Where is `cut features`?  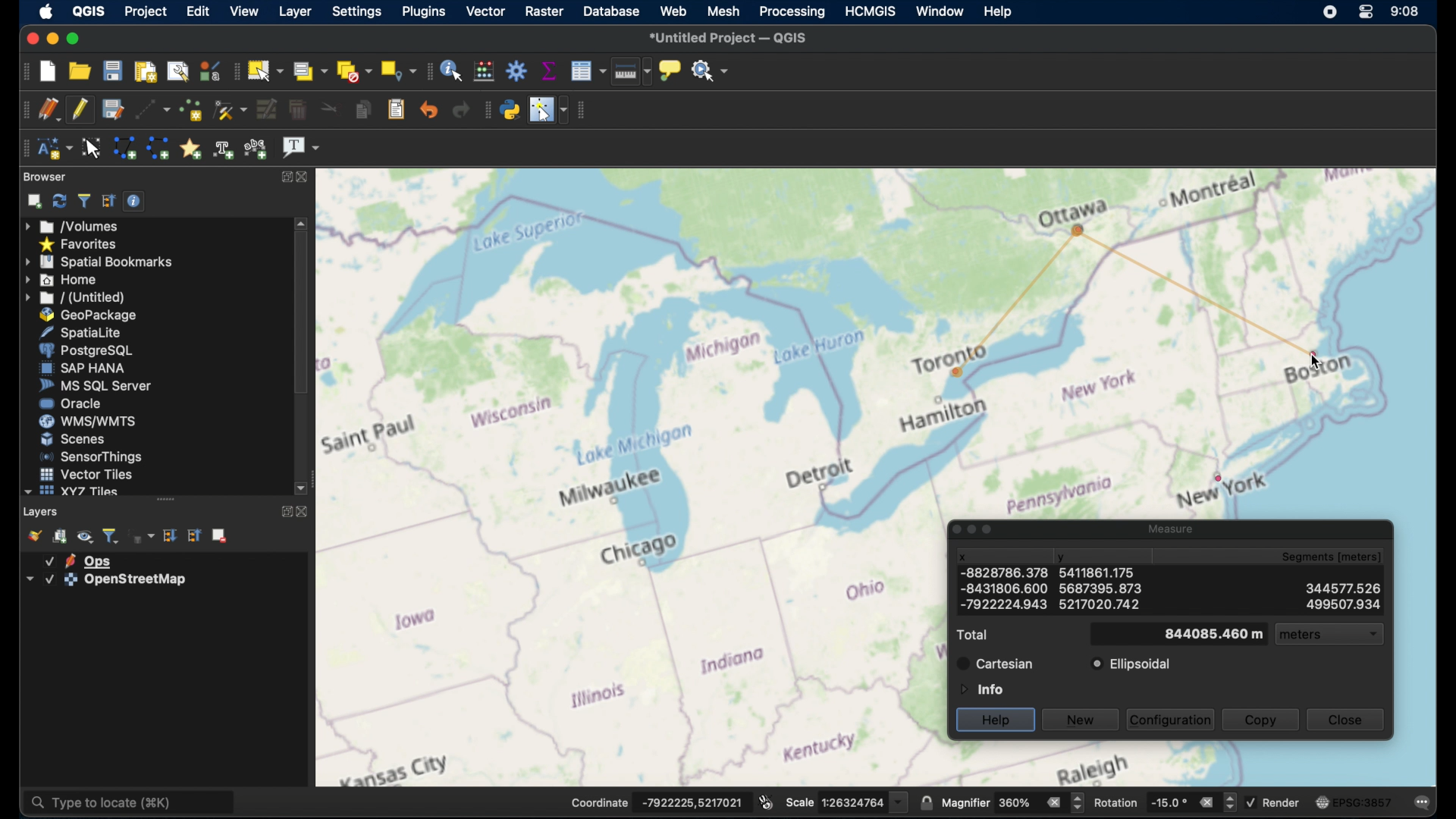
cut features is located at coordinates (326, 108).